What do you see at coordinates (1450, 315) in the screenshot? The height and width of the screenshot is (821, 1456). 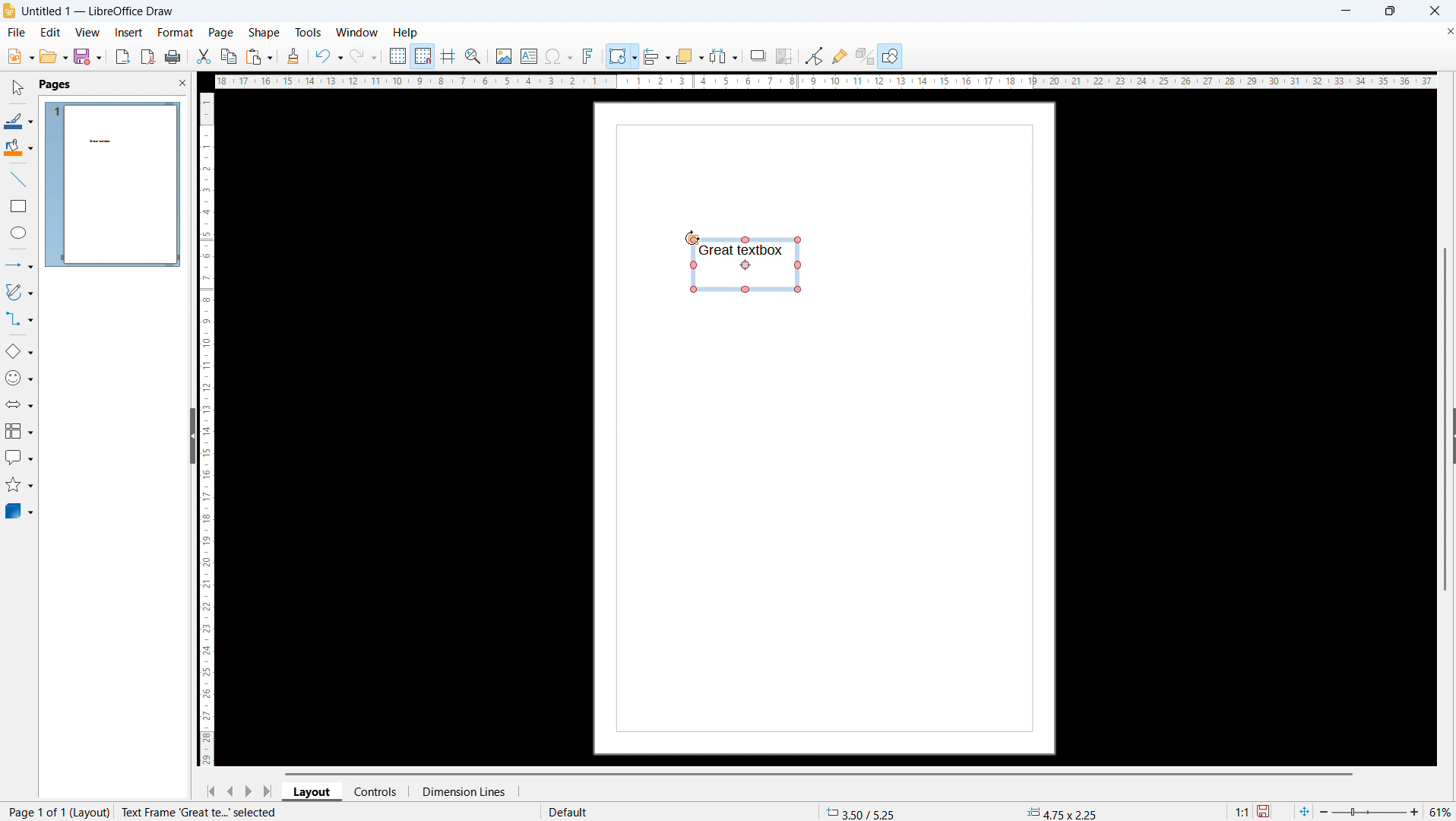 I see `Vertical scroll bar ` at bounding box center [1450, 315].